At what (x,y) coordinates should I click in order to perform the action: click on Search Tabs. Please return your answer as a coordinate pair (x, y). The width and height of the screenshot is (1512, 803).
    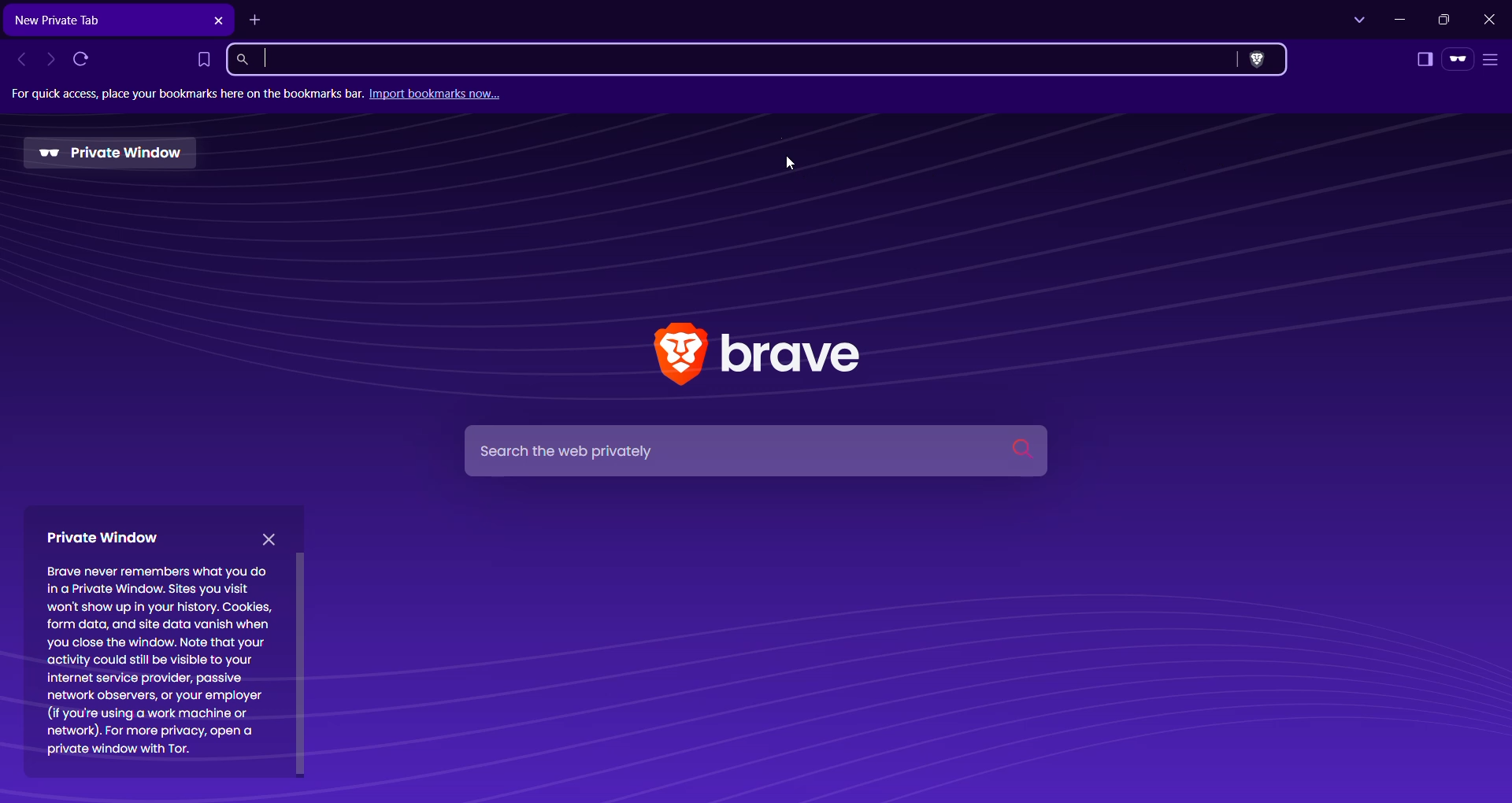
    Looking at the image, I should click on (1358, 17).